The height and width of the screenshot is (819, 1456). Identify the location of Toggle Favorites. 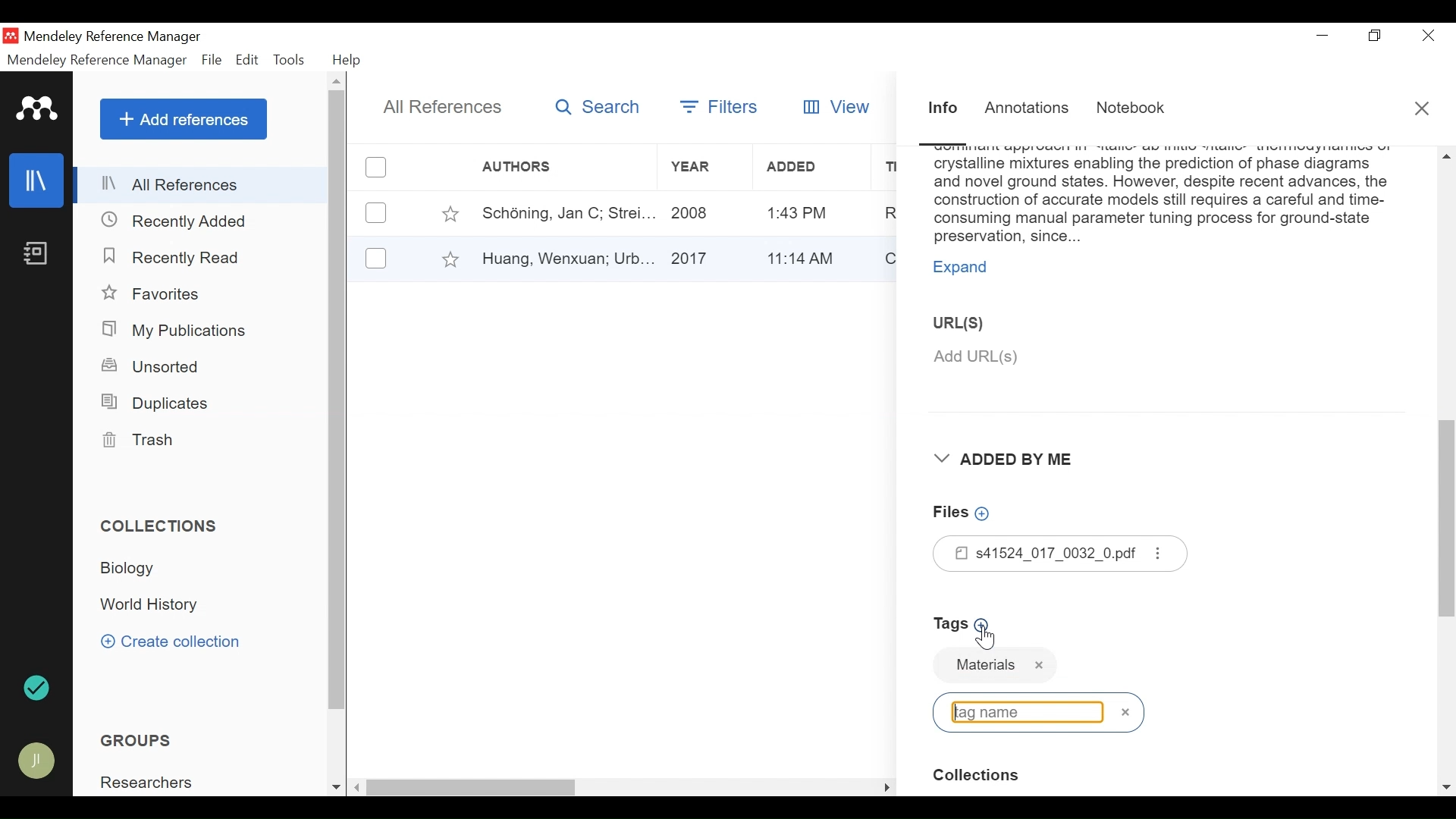
(450, 259).